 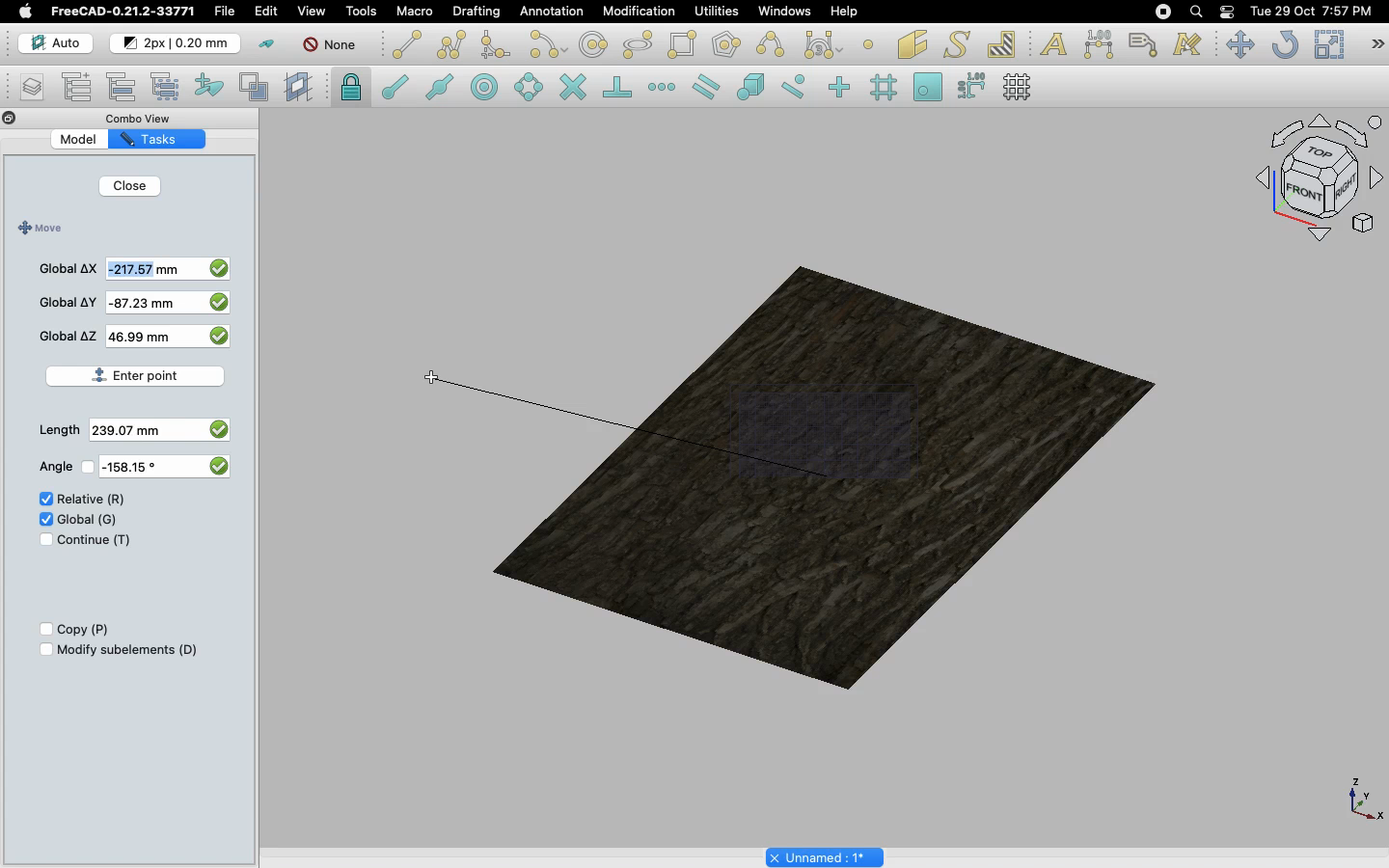 I want to click on Select group, so click(x=167, y=85).